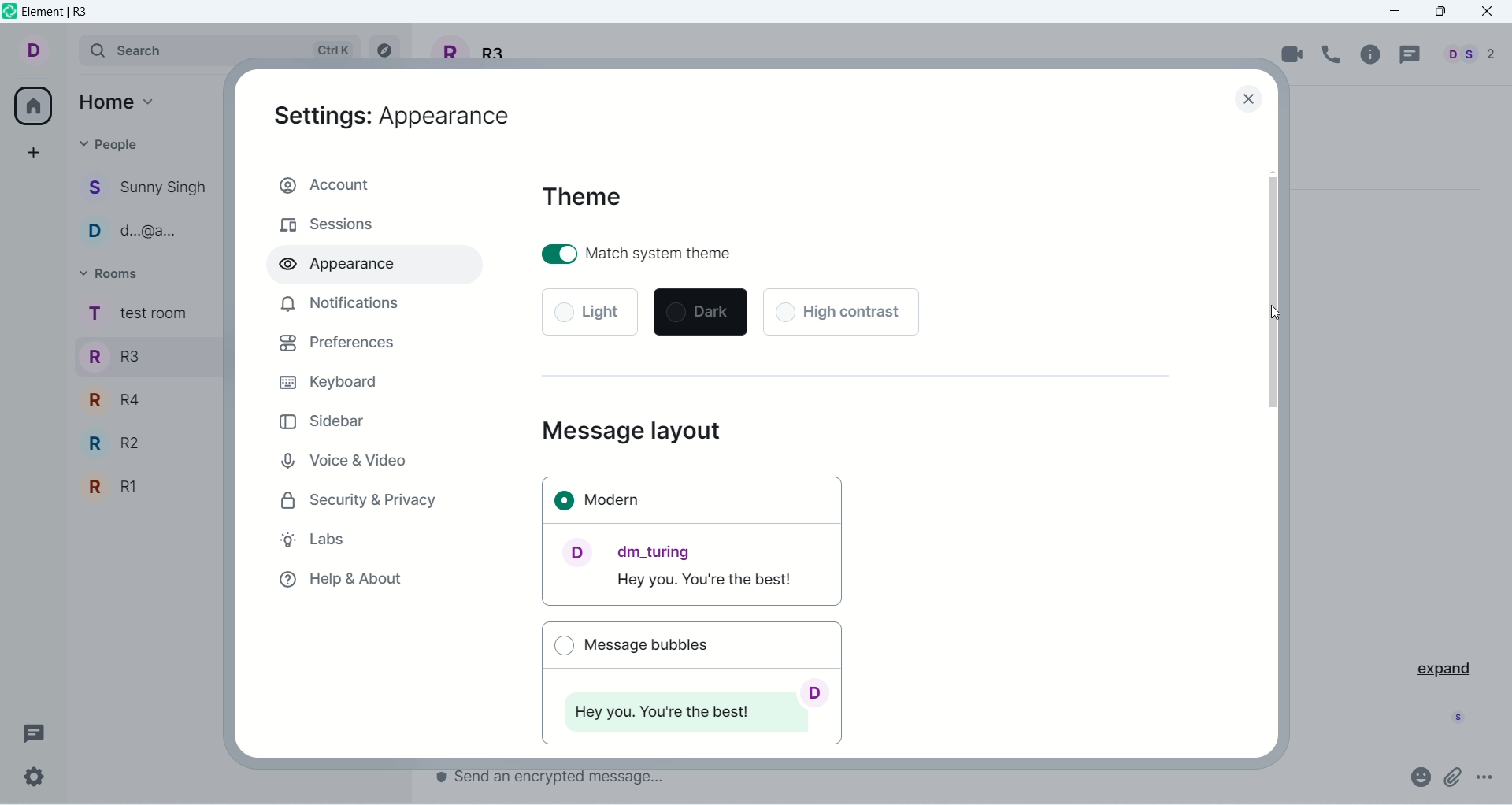 The width and height of the screenshot is (1512, 805). I want to click on R3, so click(144, 354).